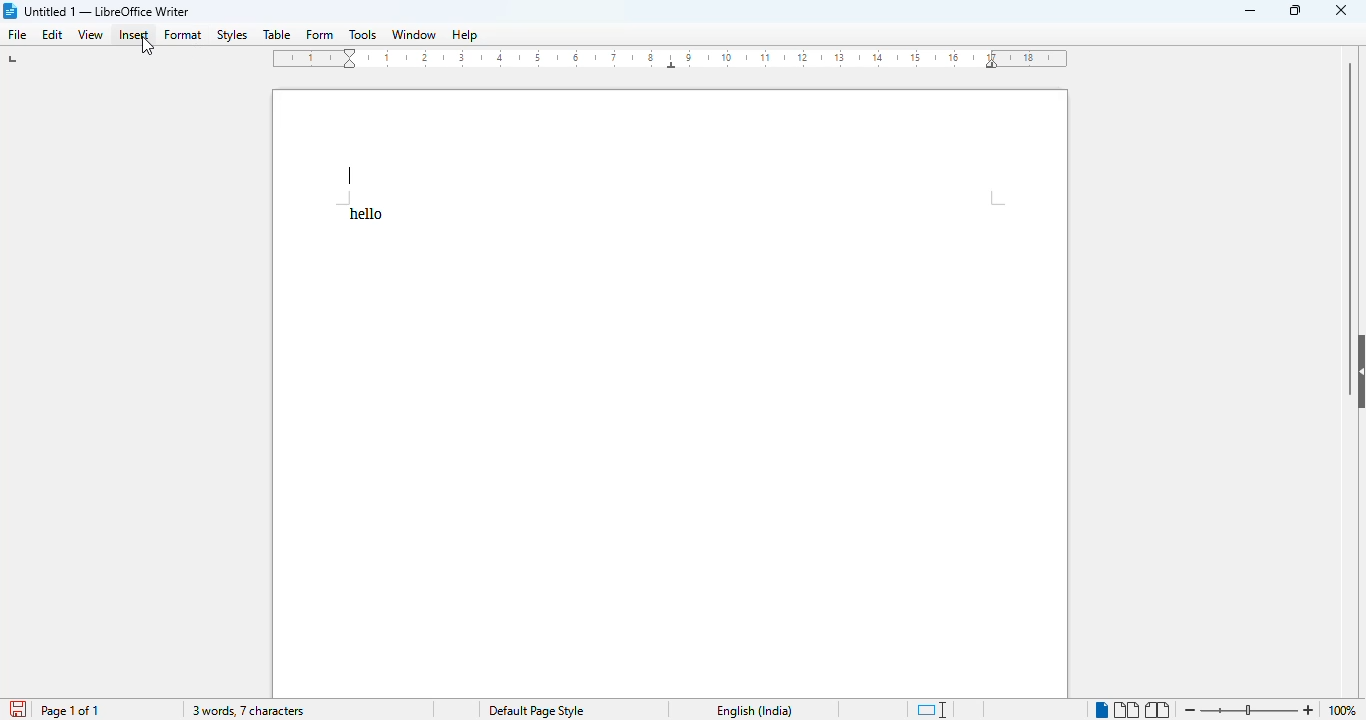 The image size is (1366, 720). Describe the element at coordinates (1297, 11) in the screenshot. I see `maximize` at that location.